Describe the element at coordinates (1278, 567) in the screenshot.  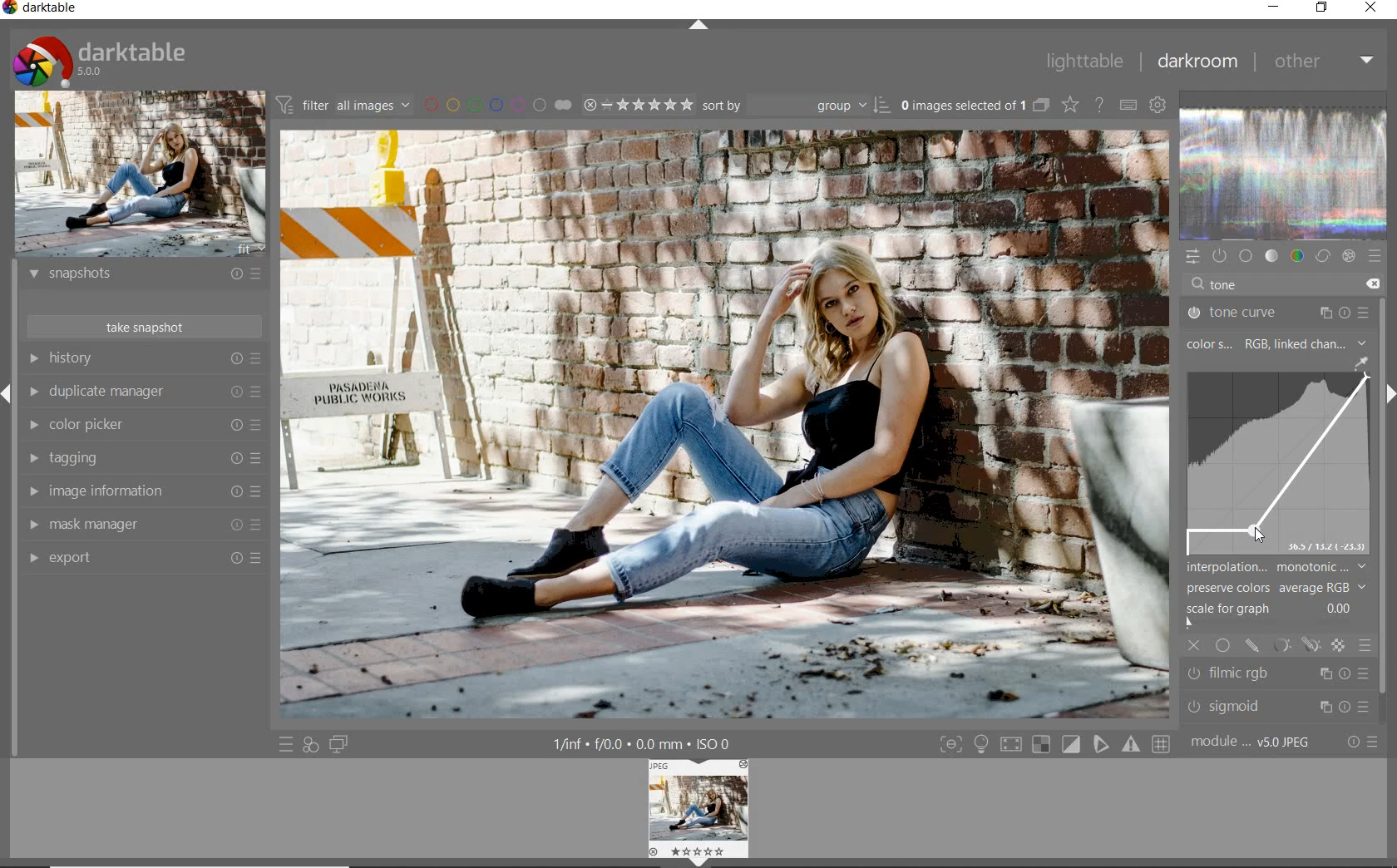
I see `interpolation` at that location.